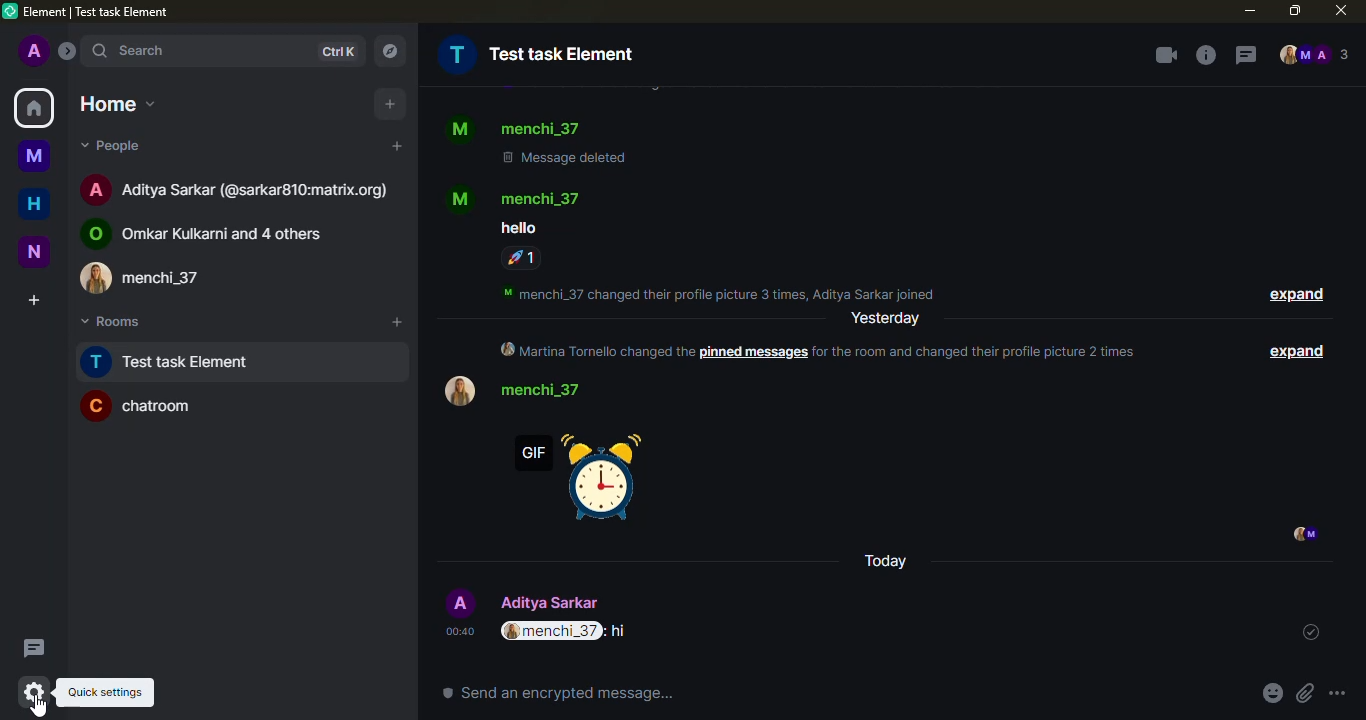  I want to click on rooms, so click(110, 324).